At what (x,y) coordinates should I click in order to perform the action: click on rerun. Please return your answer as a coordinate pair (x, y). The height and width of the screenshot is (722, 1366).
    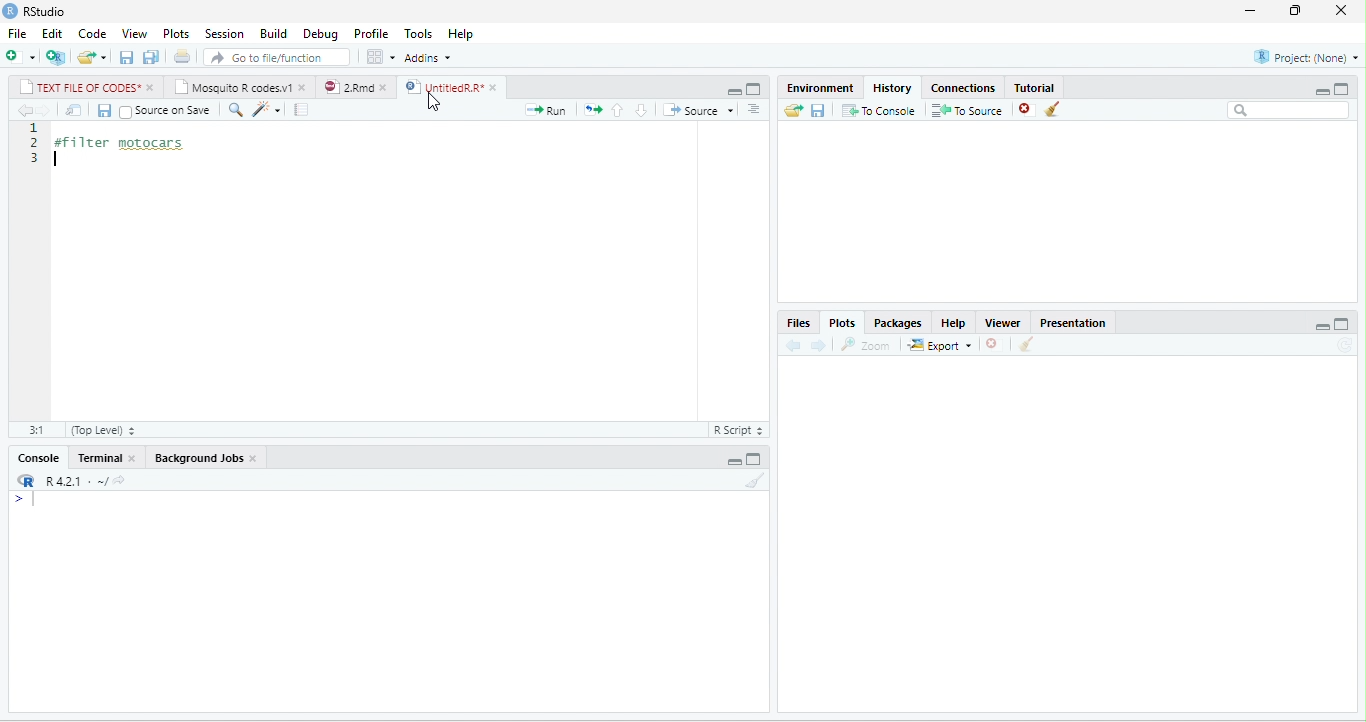
    Looking at the image, I should click on (593, 110).